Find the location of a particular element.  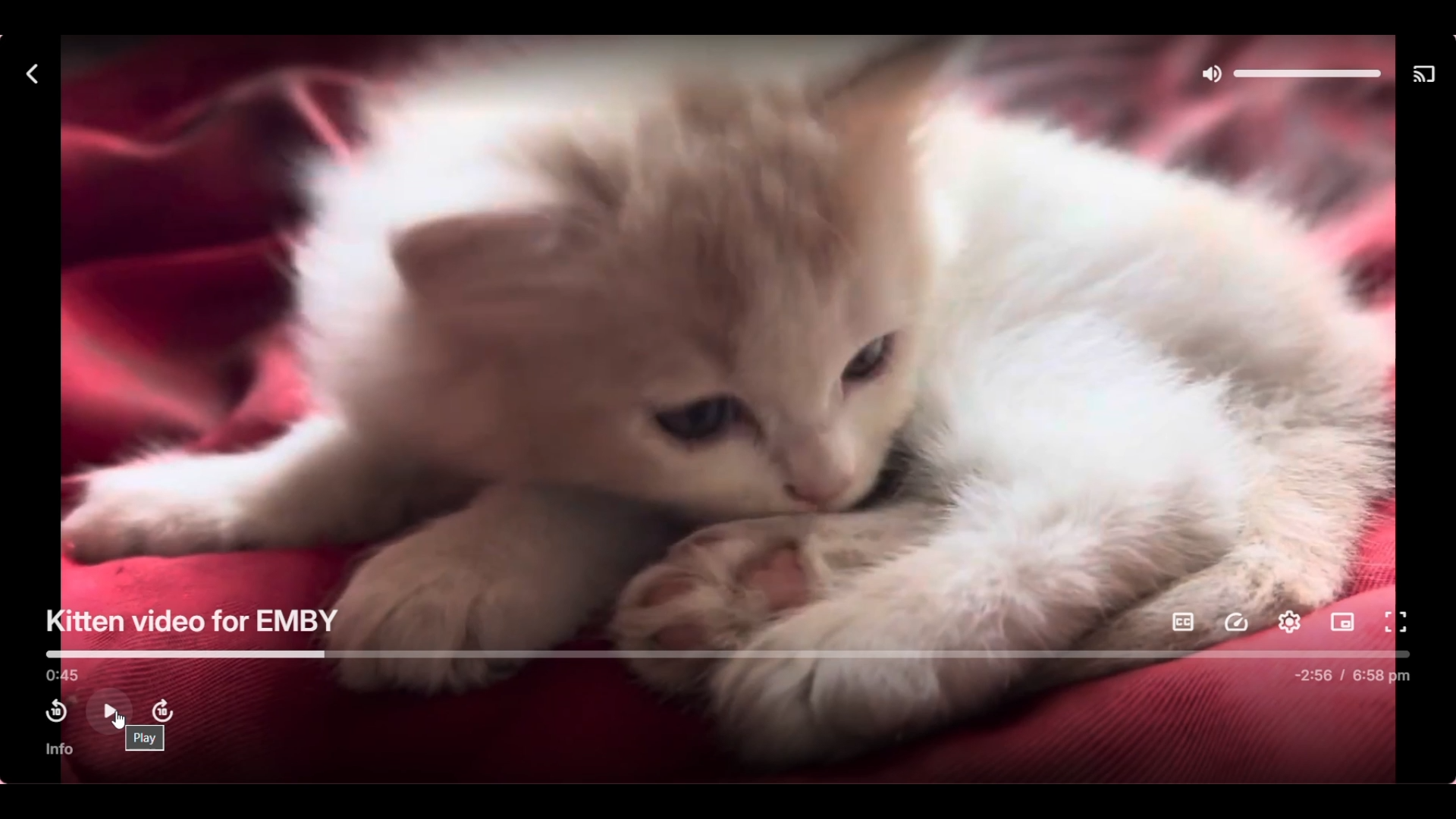

Timeline of video with the length of video already watched highlighted is located at coordinates (733, 654).